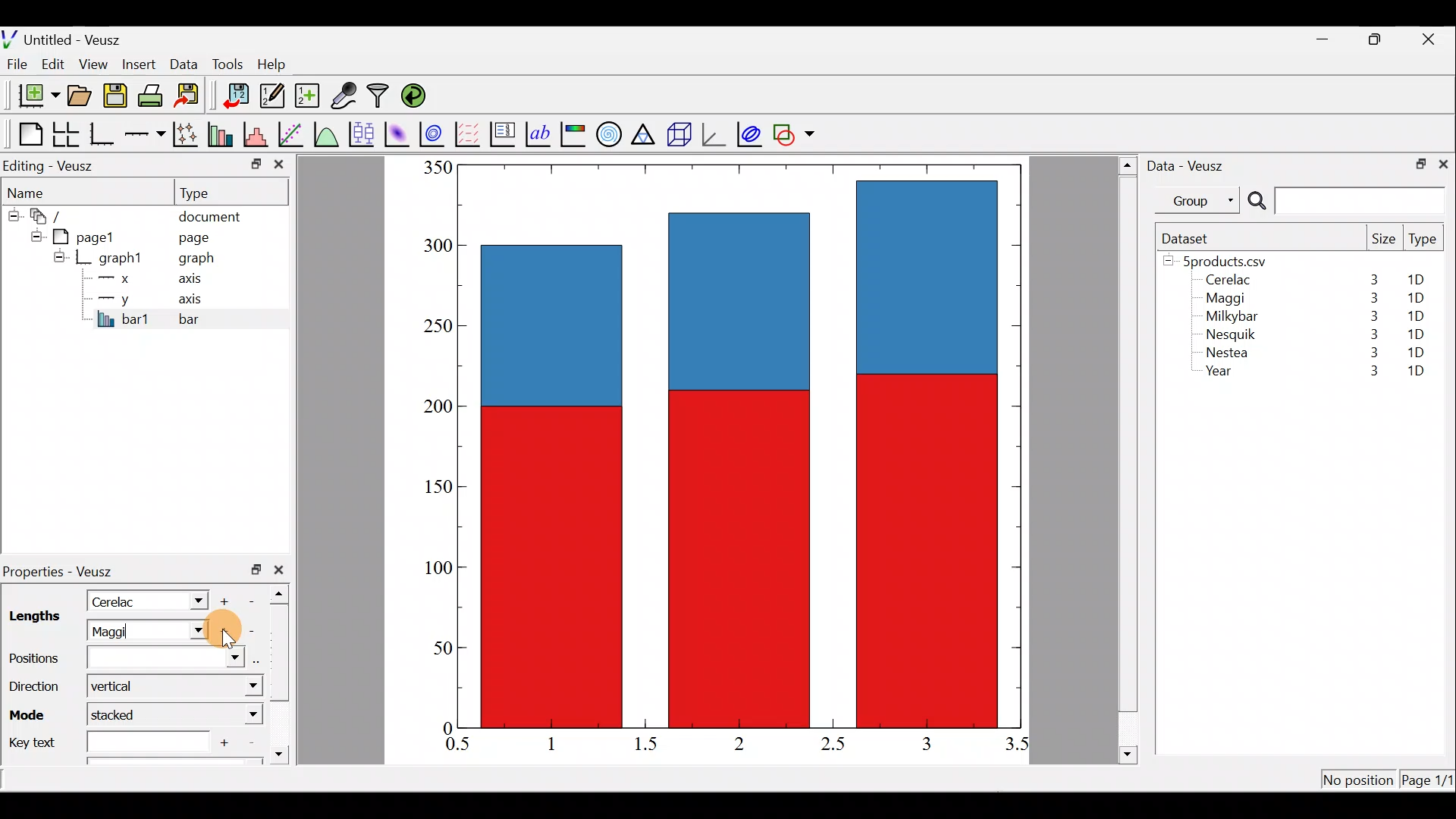  What do you see at coordinates (124, 318) in the screenshot?
I see `bar1` at bounding box center [124, 318].